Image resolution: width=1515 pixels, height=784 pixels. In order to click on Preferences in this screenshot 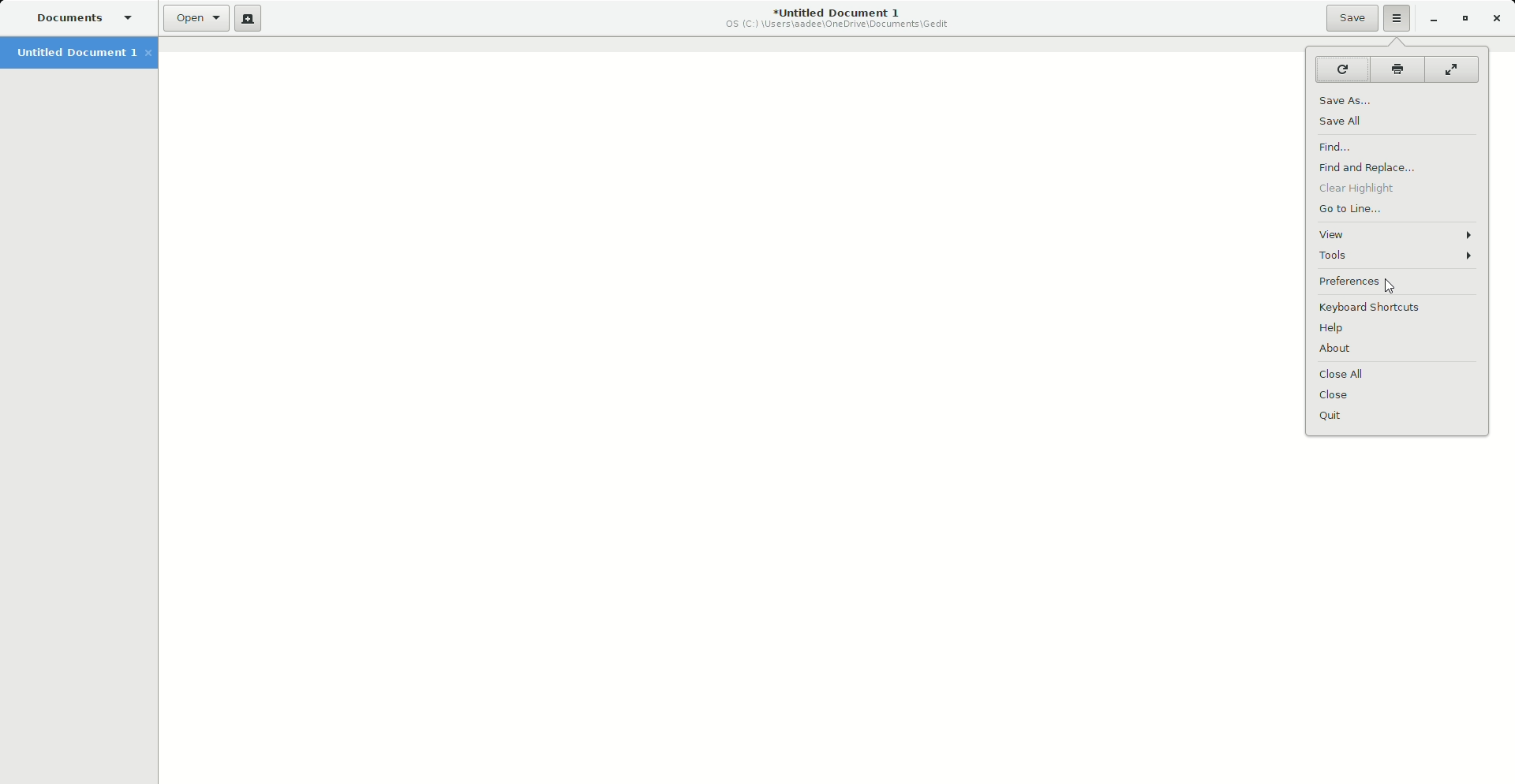, I will do `click(1375, 282)`.